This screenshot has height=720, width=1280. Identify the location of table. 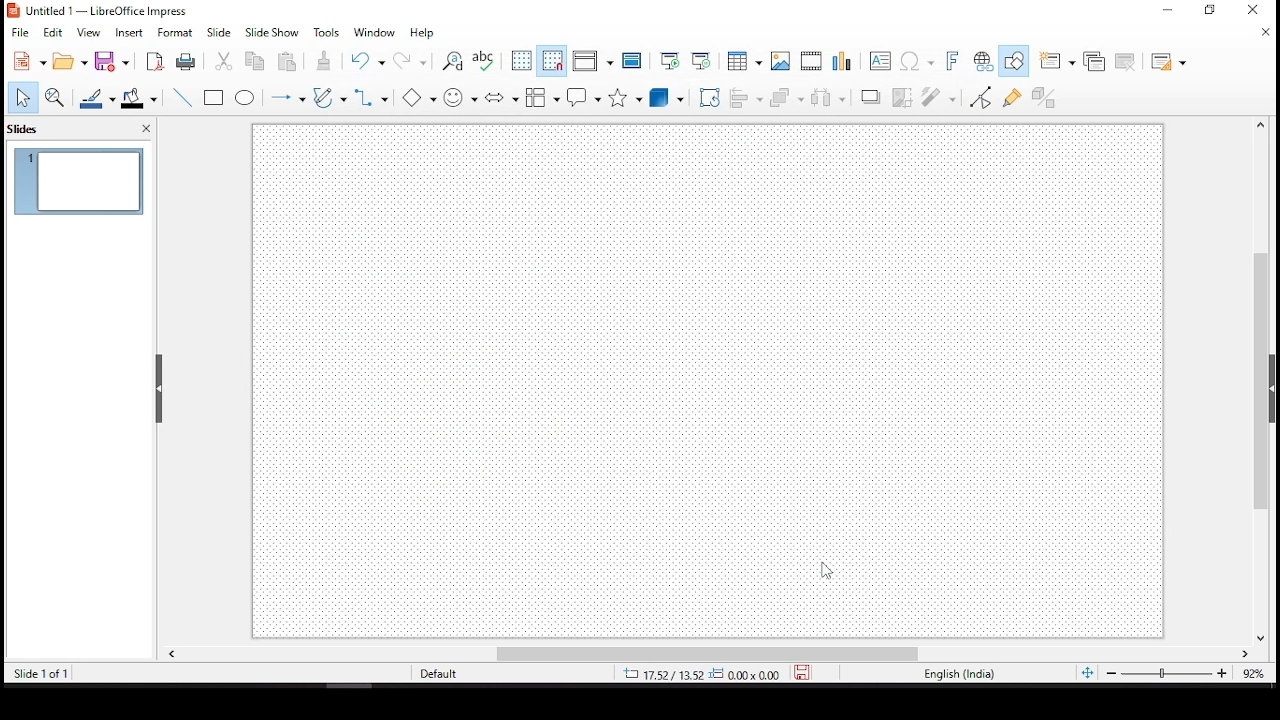
(744, 60).